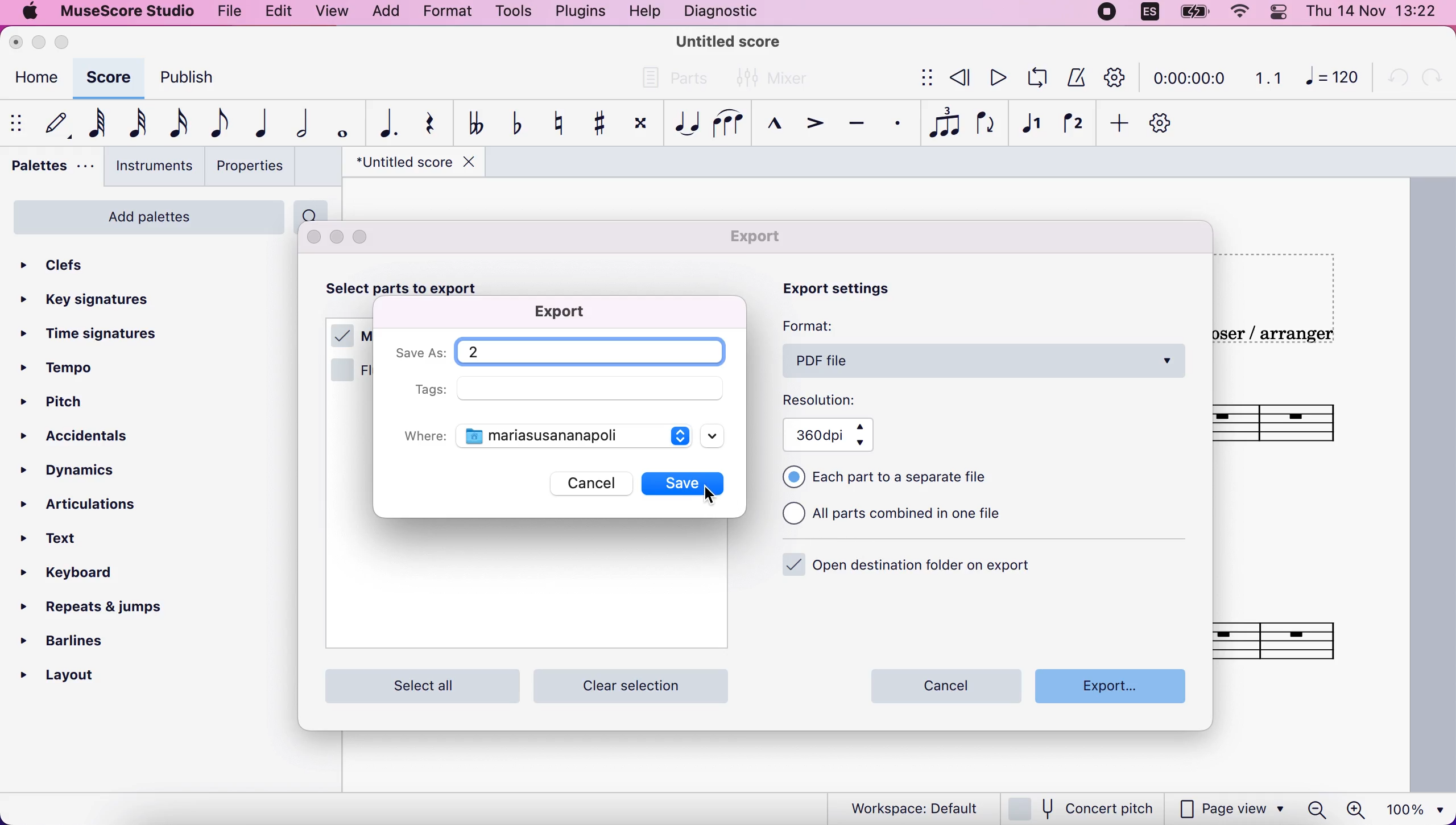 Image resolution: width=1456 pixels, height=825 pixels. What do you see at coordinates (941, 124) in the screenshot?
I see `tuples` at bounding box center [941, 124].